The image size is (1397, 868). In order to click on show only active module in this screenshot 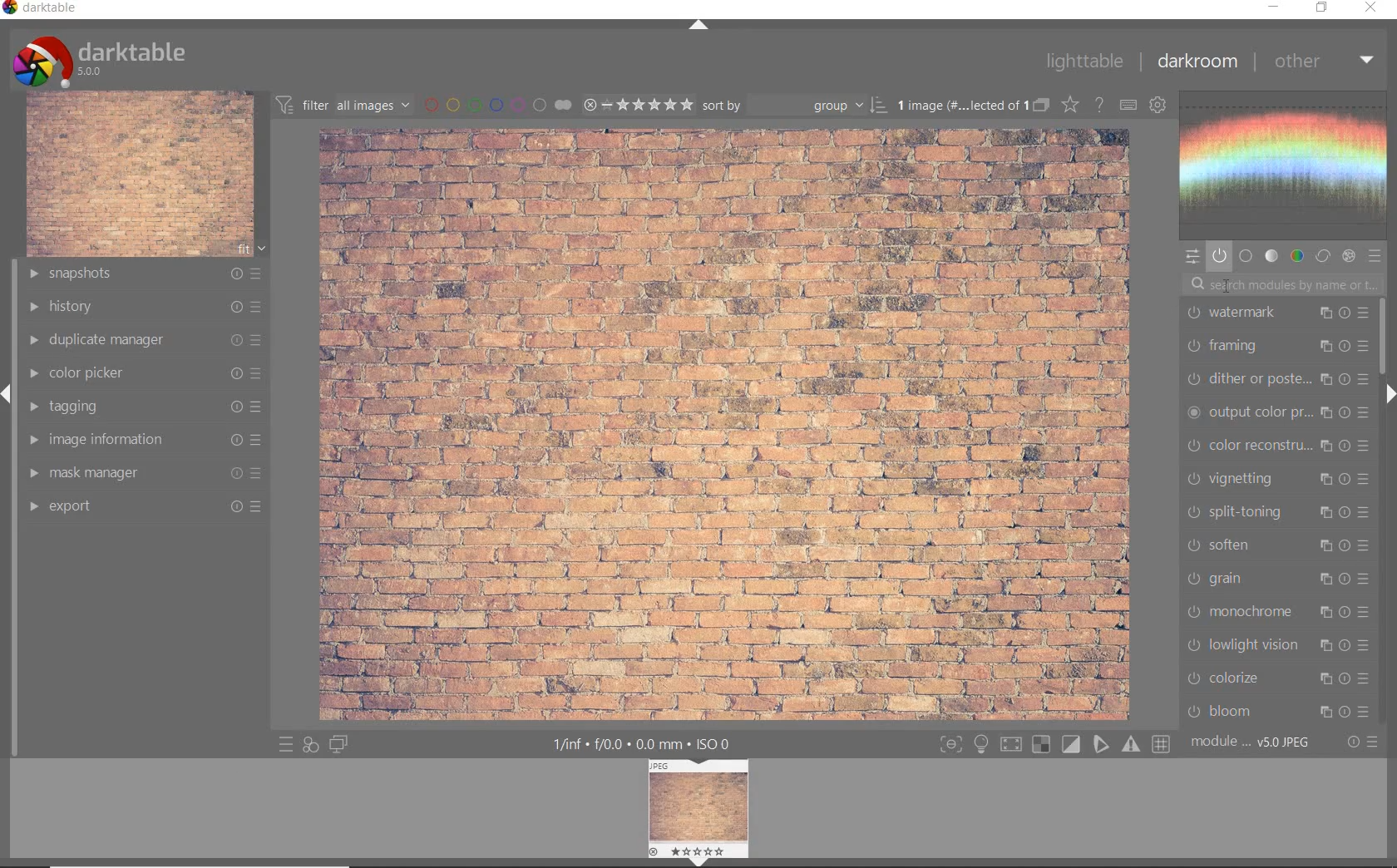, I will do `click(1219, 256)`.